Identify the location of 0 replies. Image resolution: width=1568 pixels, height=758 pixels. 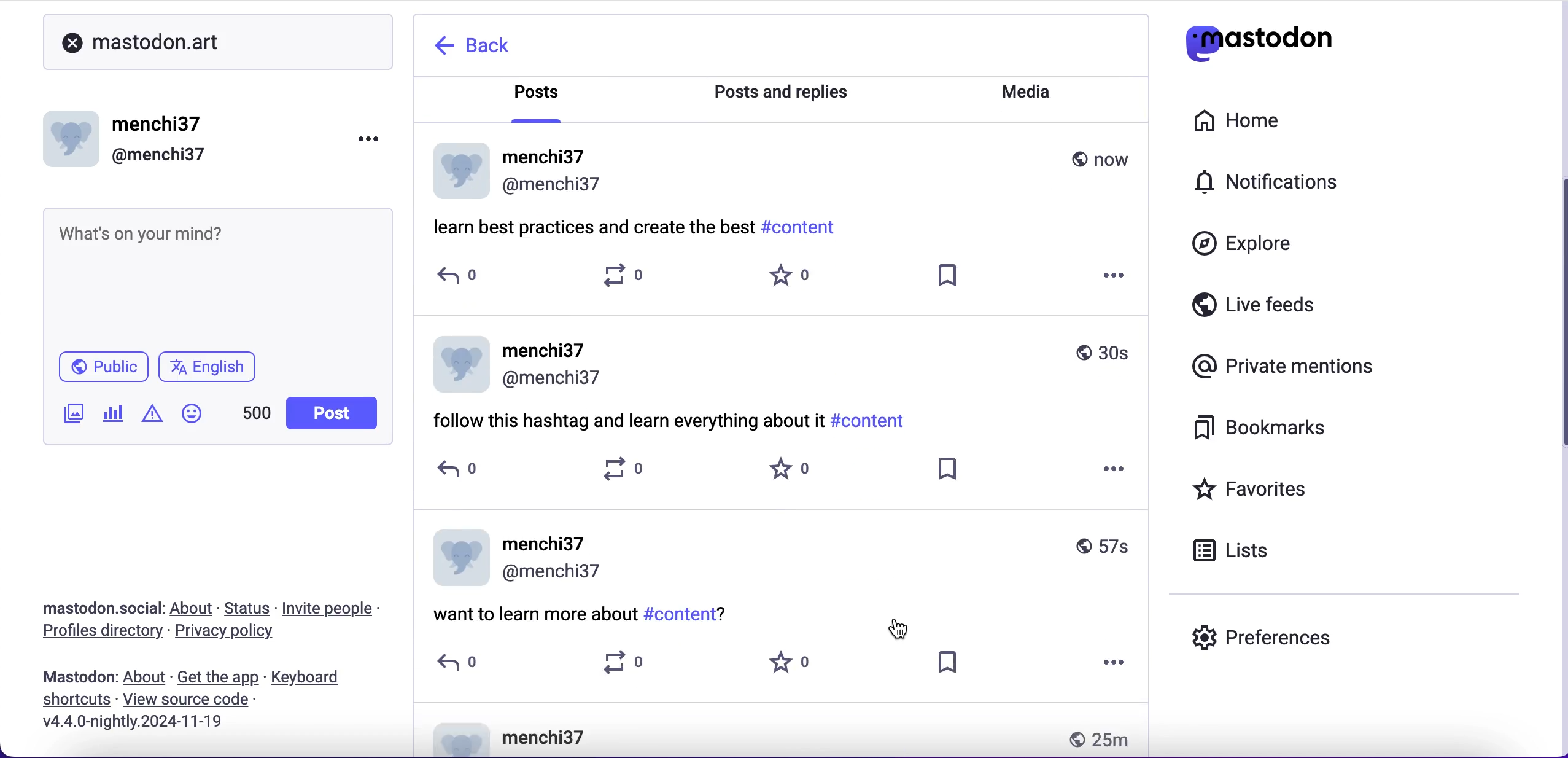
(467, 669).